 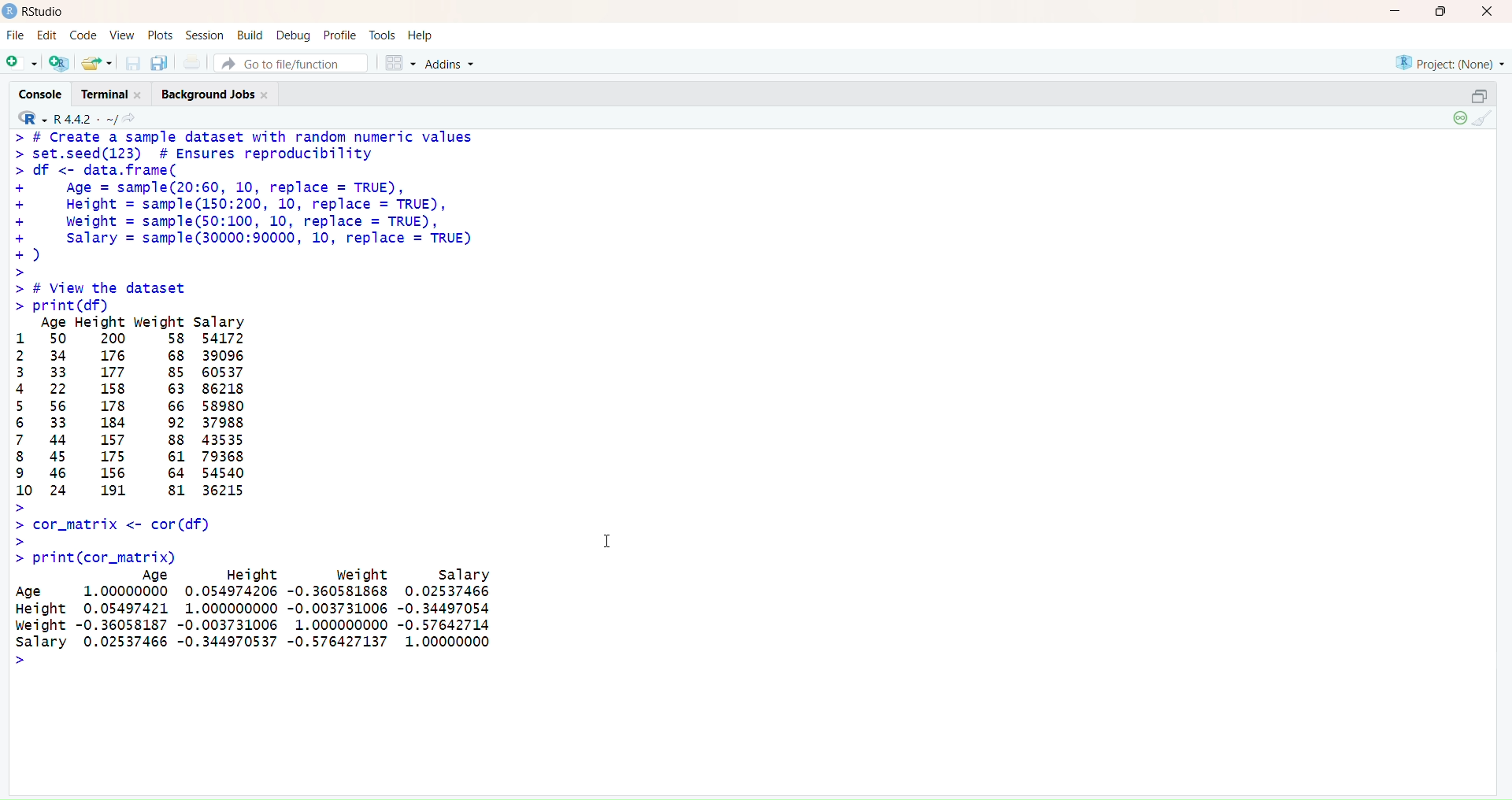 I want to click on Session, so click(x=206, y=35).